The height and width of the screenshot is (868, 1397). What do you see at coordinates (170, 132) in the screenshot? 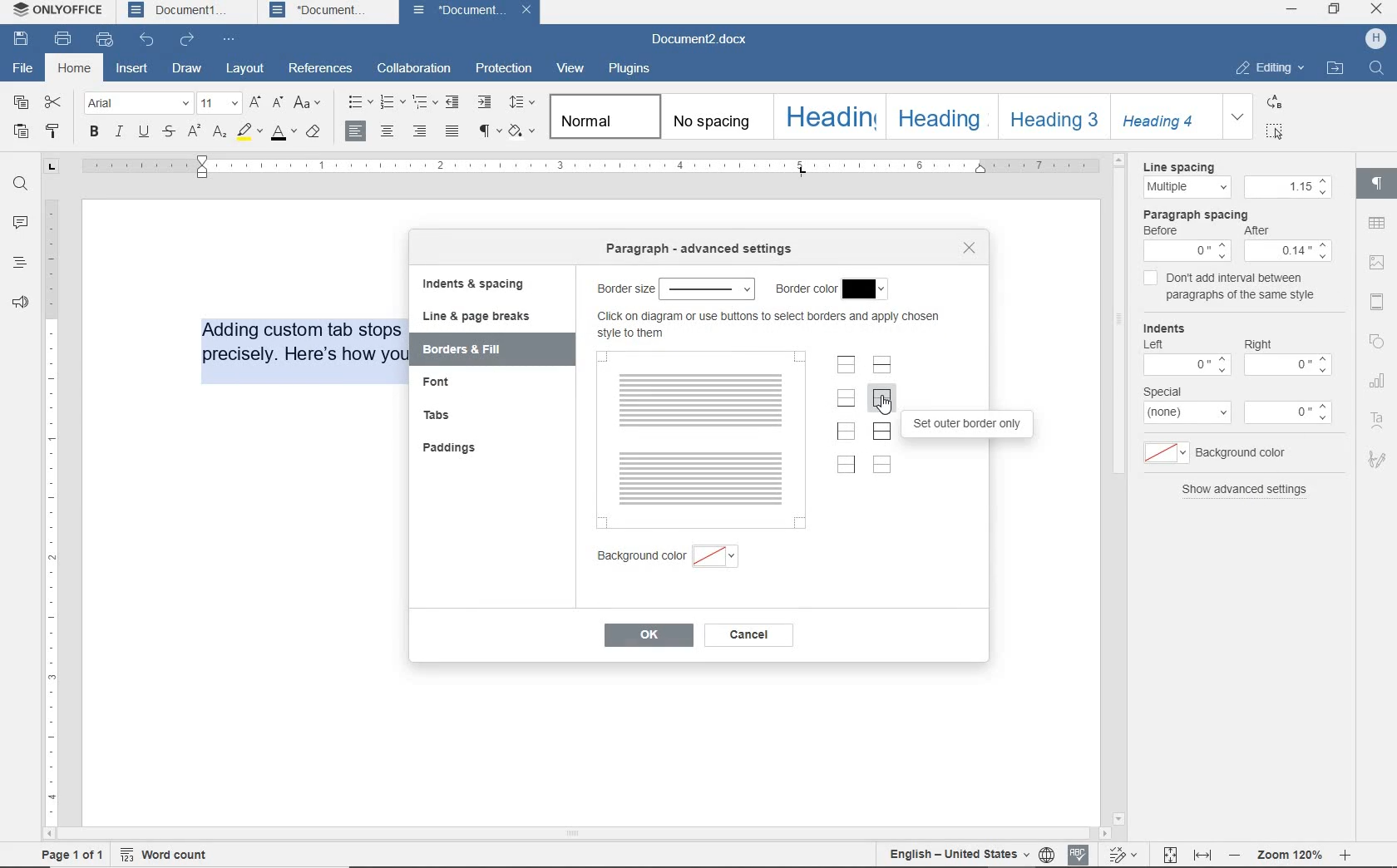
I see `strikethrough` at bounding box center [170, 132].